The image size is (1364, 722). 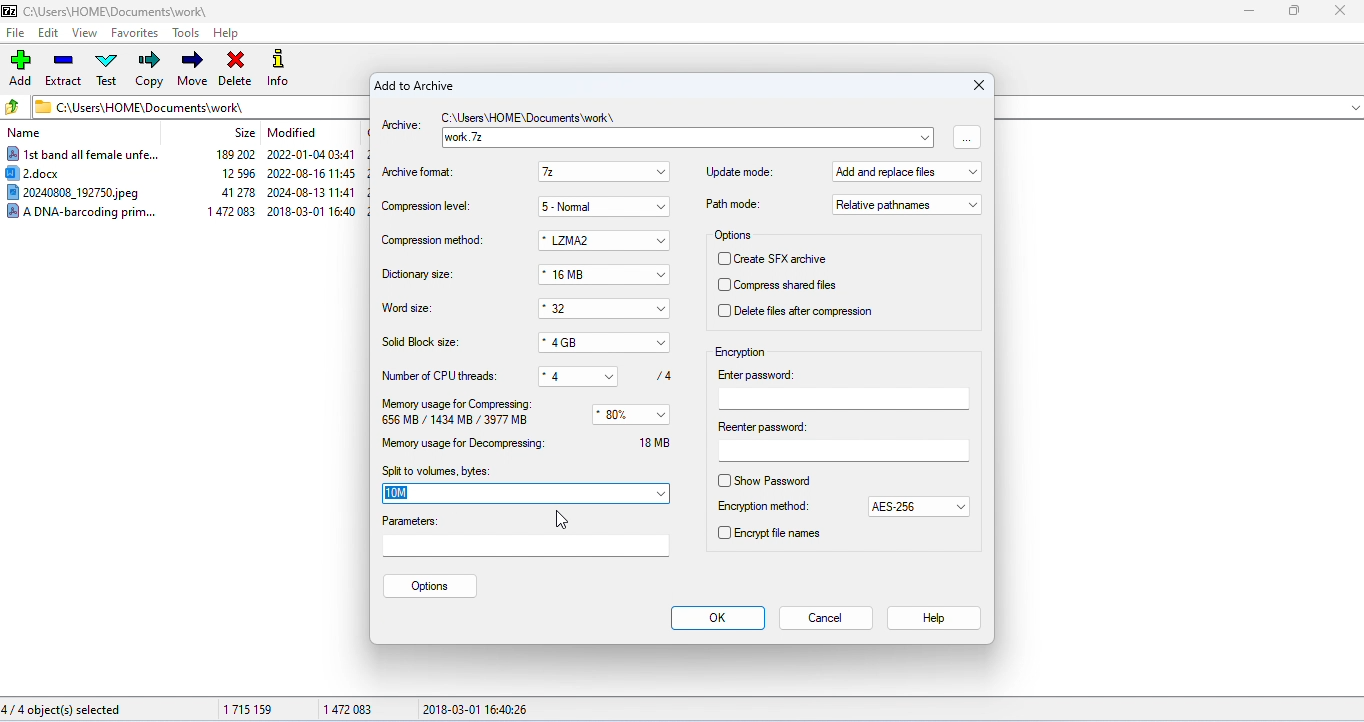 I want to click on drop down, so click(x=663, y=415).